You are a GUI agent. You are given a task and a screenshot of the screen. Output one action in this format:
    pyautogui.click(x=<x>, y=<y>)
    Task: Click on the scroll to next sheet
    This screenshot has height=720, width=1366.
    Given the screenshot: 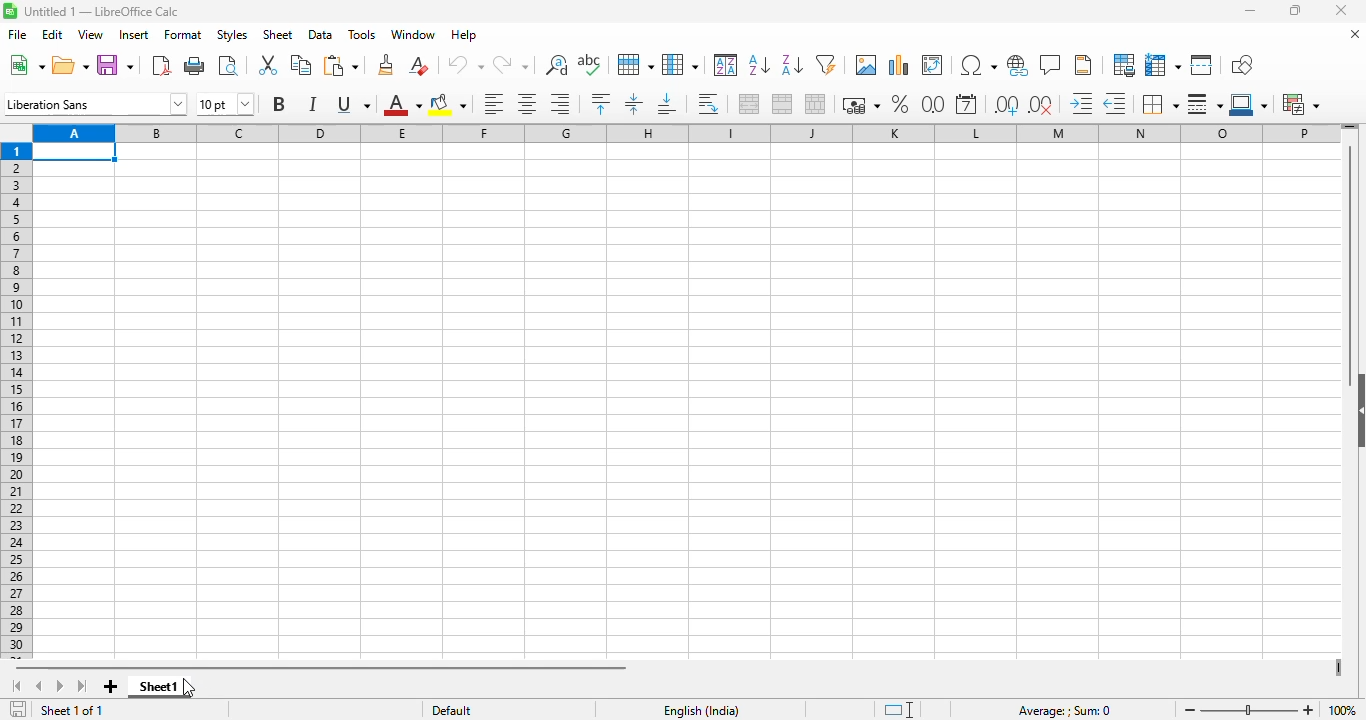 What is the action you would take?
    pyautogui.click(x=61, y=687)
    